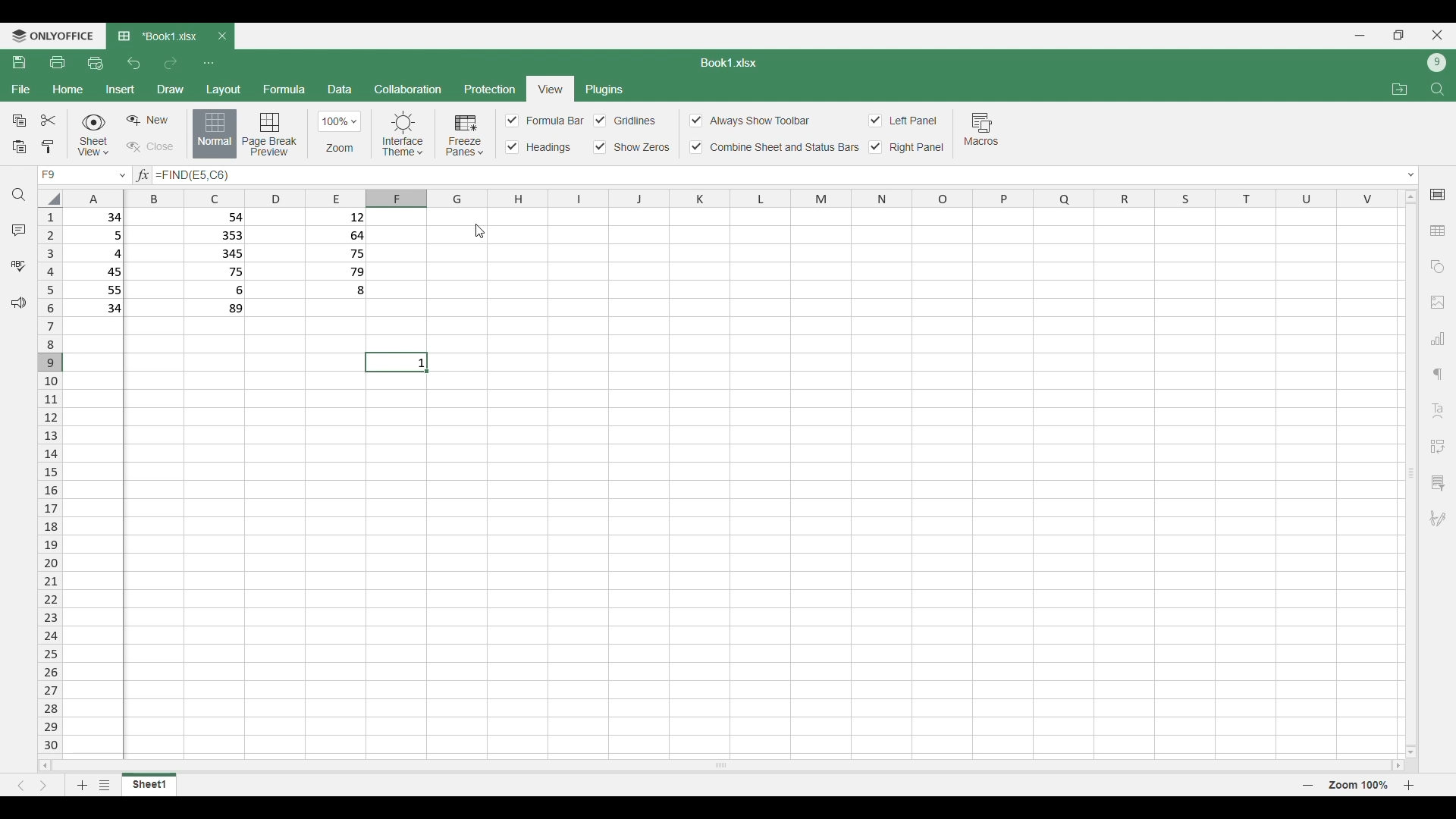 This screenshot has height=819, width=1456. Describe the element at coordinates (171, 89) in the screenshot. I see `Draw menu` at that location.